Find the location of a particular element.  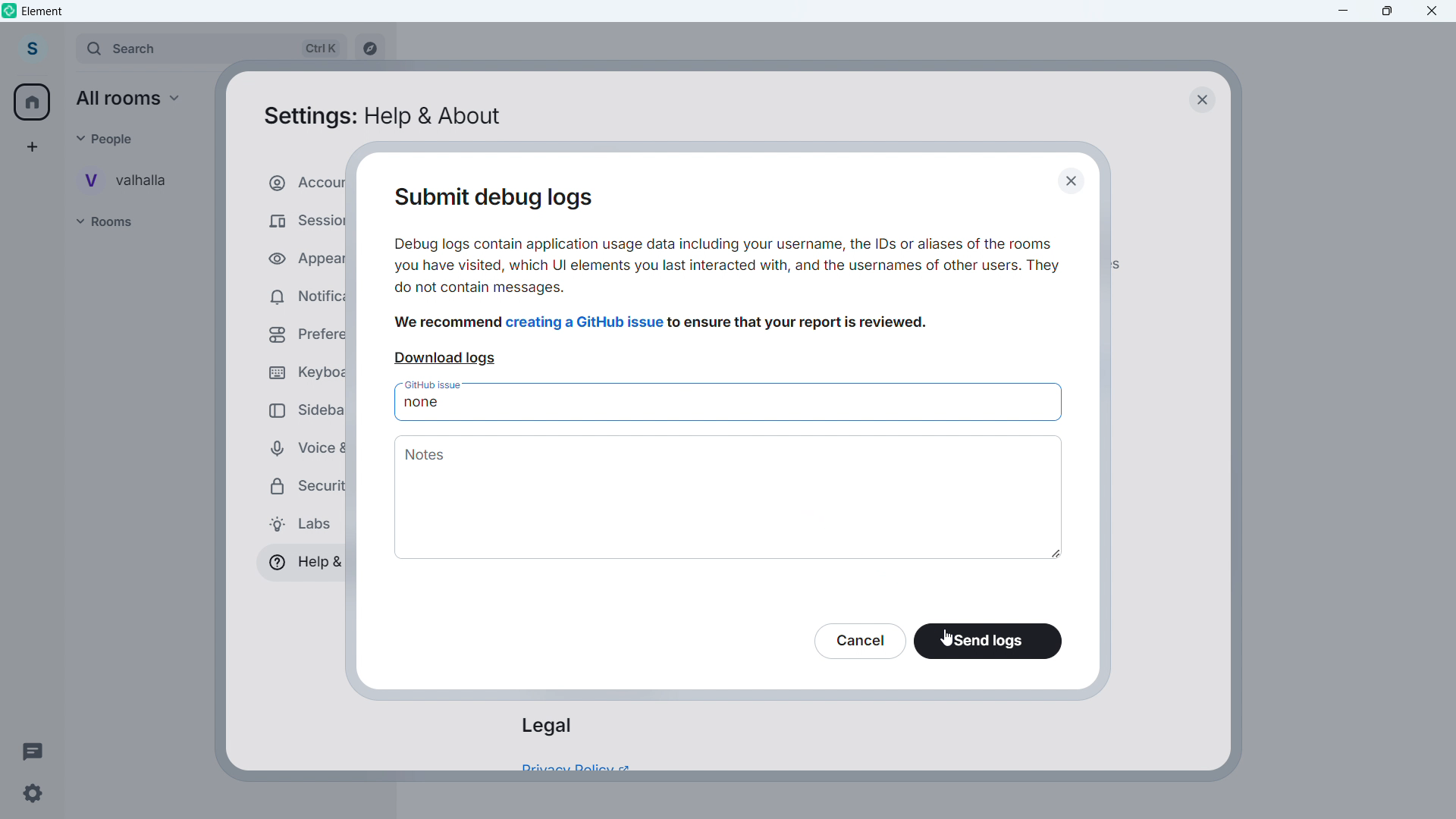

Close dialogue box  is located at coordinates (1200, 99).